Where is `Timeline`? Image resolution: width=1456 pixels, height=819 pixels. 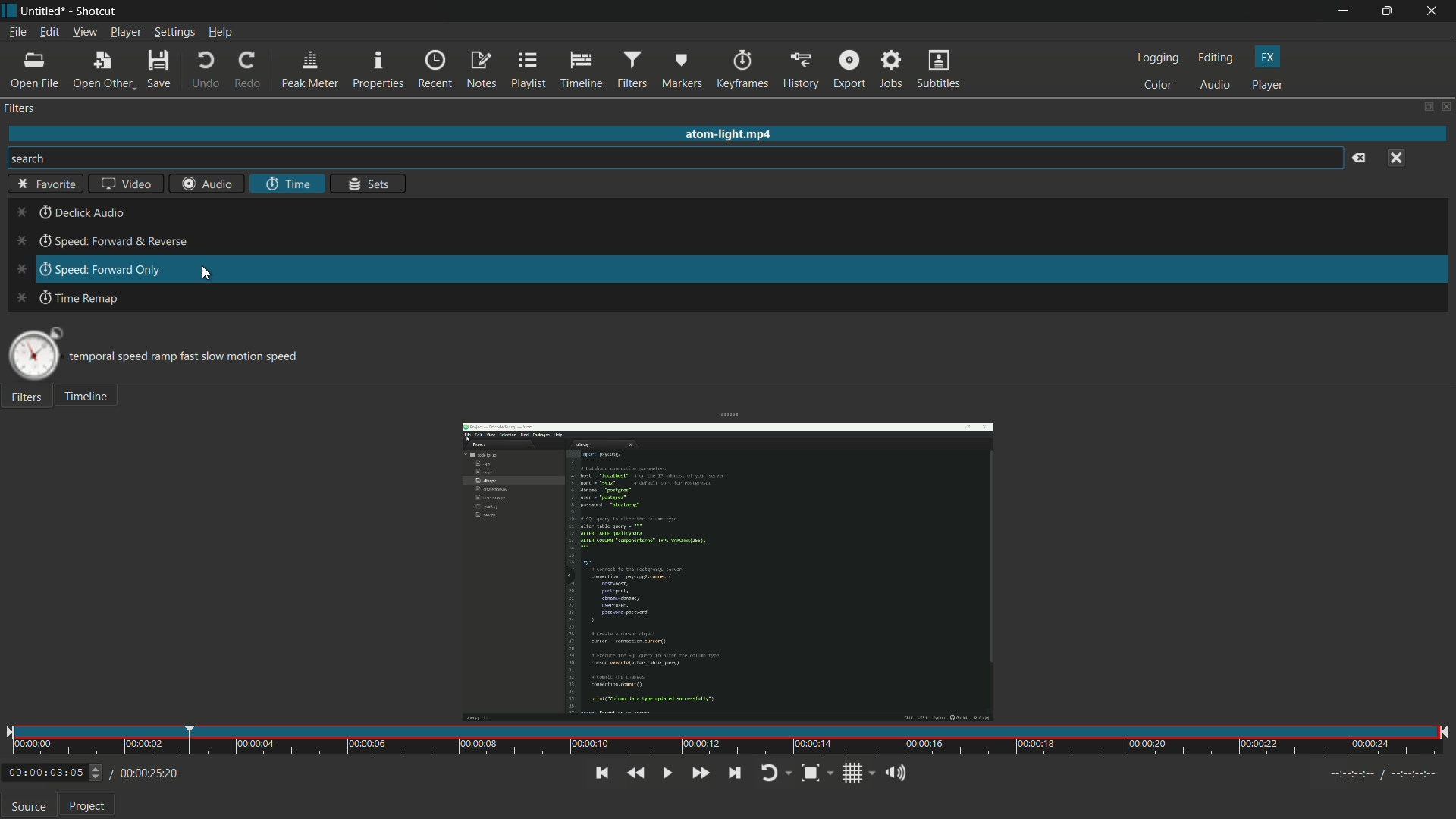 Timeline is located at coordinates (93, 399).